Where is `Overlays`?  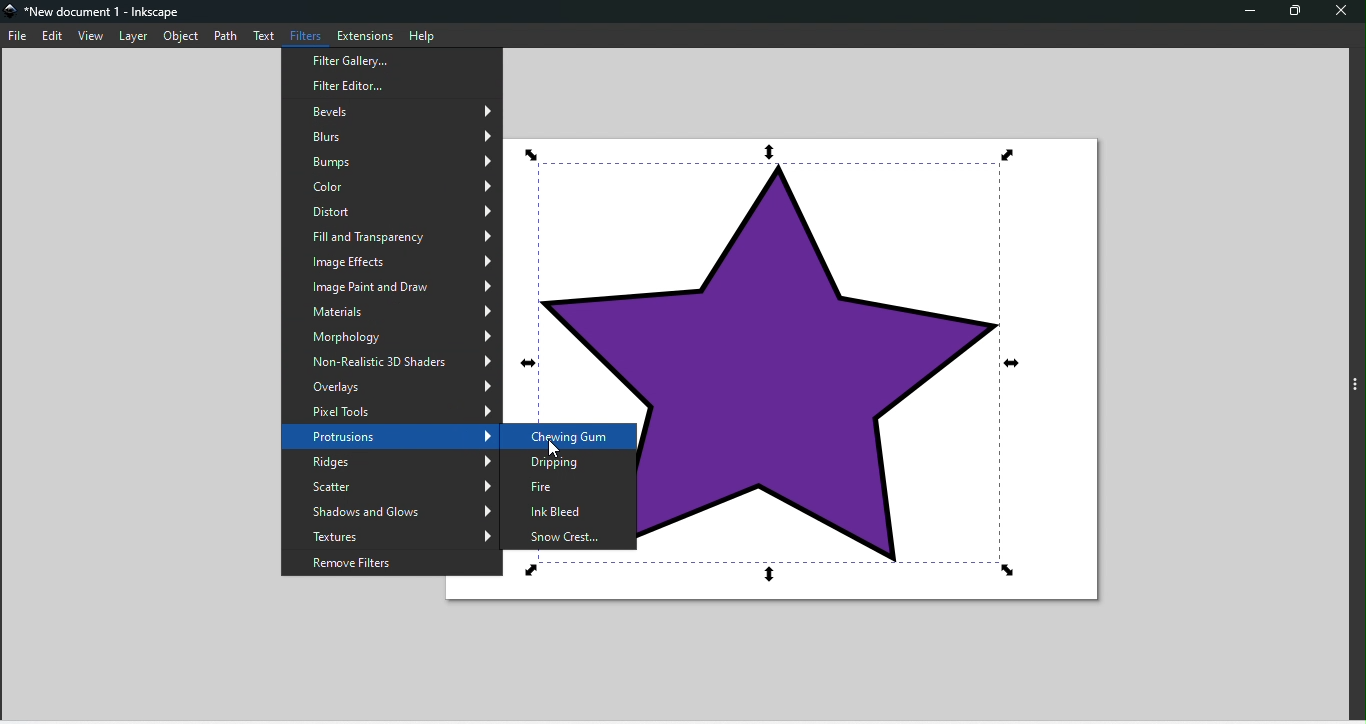
Overlays is located at coordinates (392, 385).